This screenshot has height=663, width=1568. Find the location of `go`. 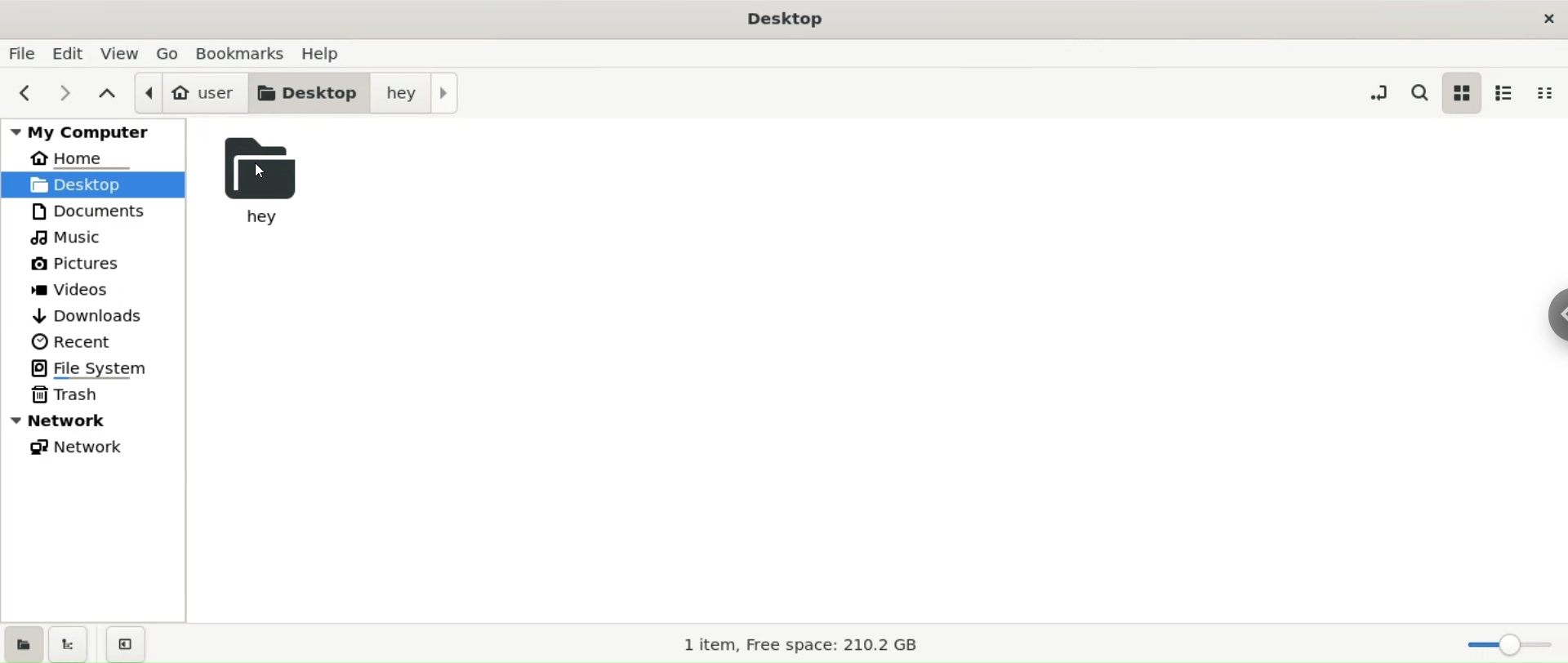

go is located at coordinates (170, 54).